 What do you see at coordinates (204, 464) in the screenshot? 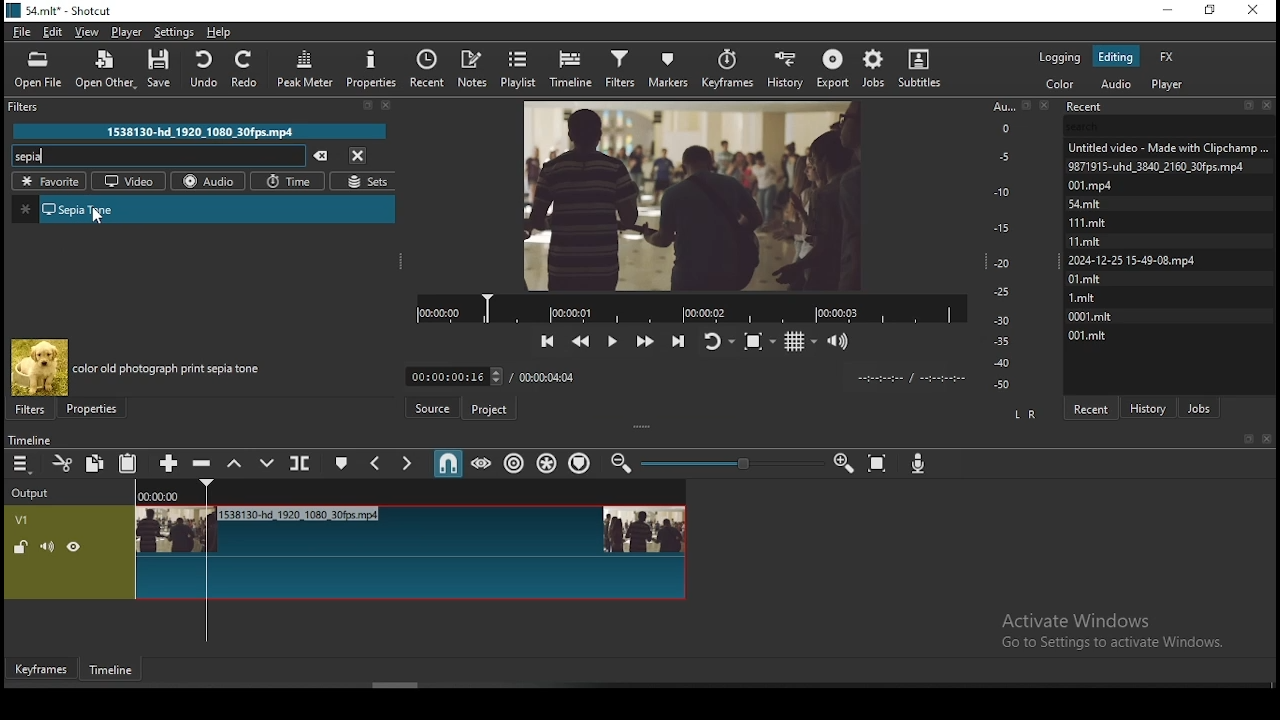
I see `ripple delete` at bounding box center [204, 464].